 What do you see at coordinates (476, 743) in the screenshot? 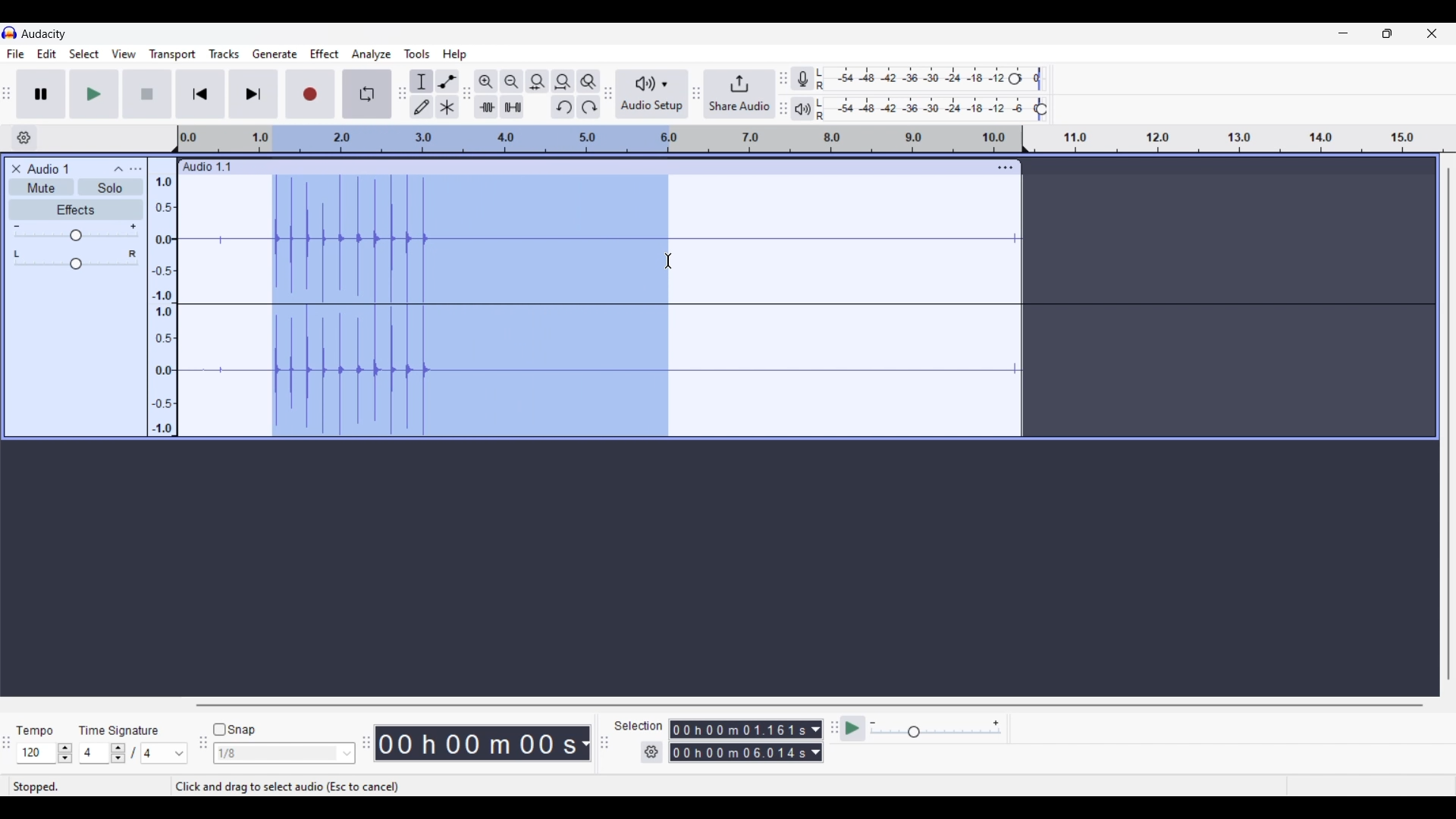
I see `Recorded duration` at bounding box center [476, 743].